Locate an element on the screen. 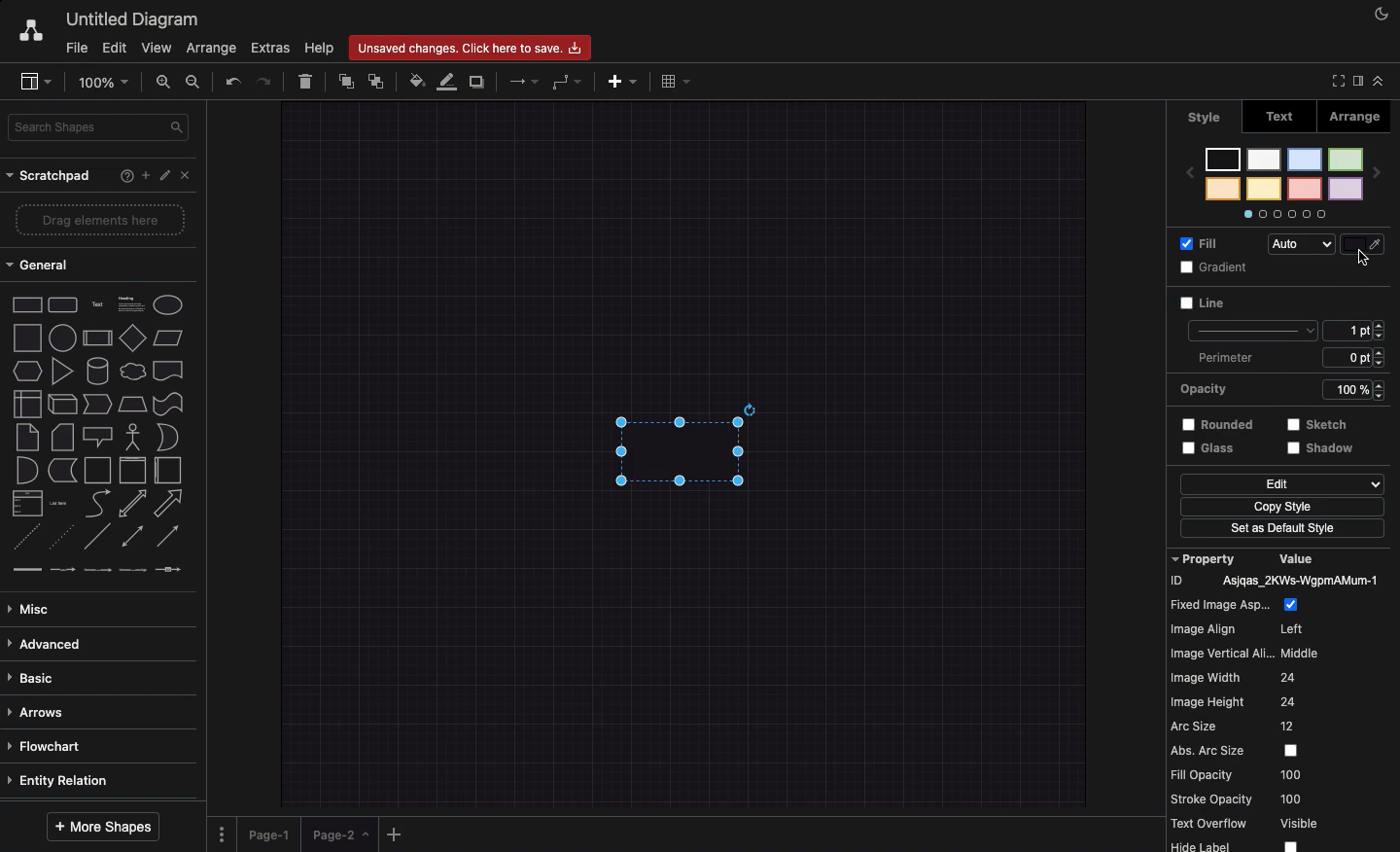 This screenshot has height=852, width=1400. Untitled diagram  is located at coordinates (134, 17).